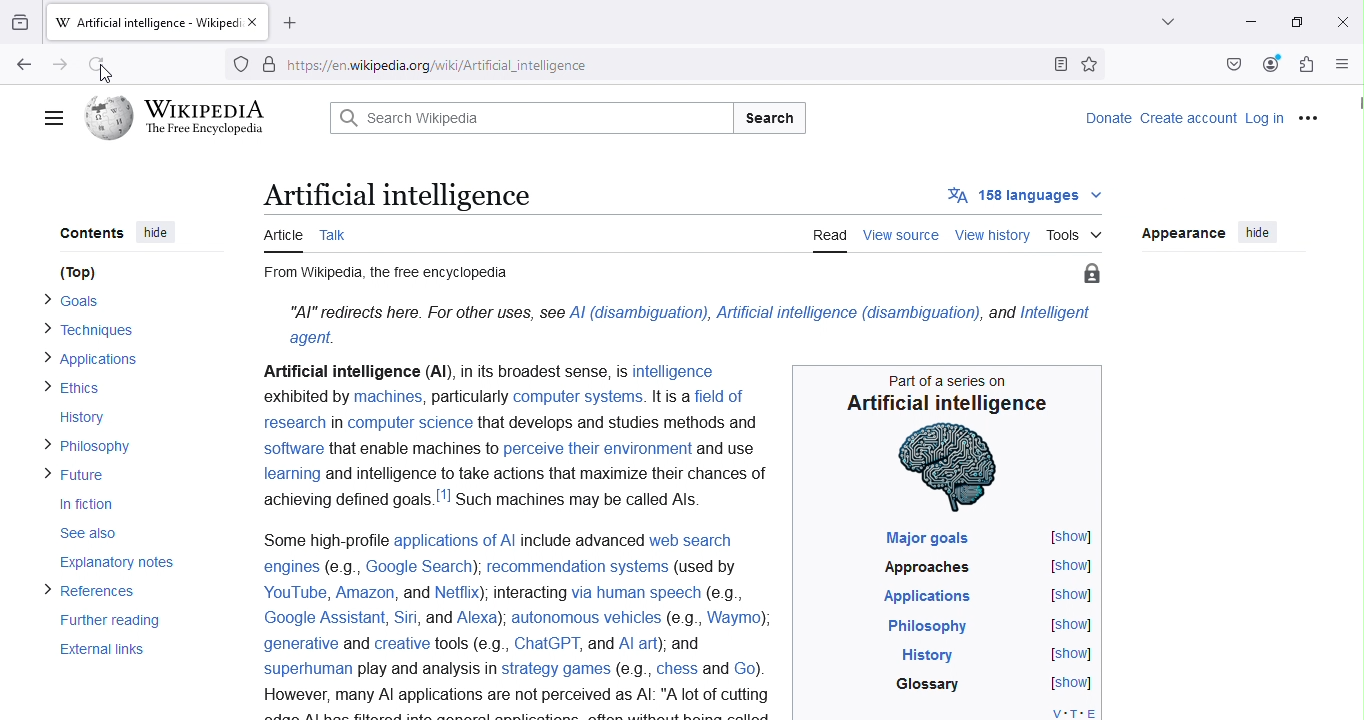 This screenshot has height=720, width=1364. Describe the element at coordinates (98, 589) in the screenshot. I see `> References` at that location.